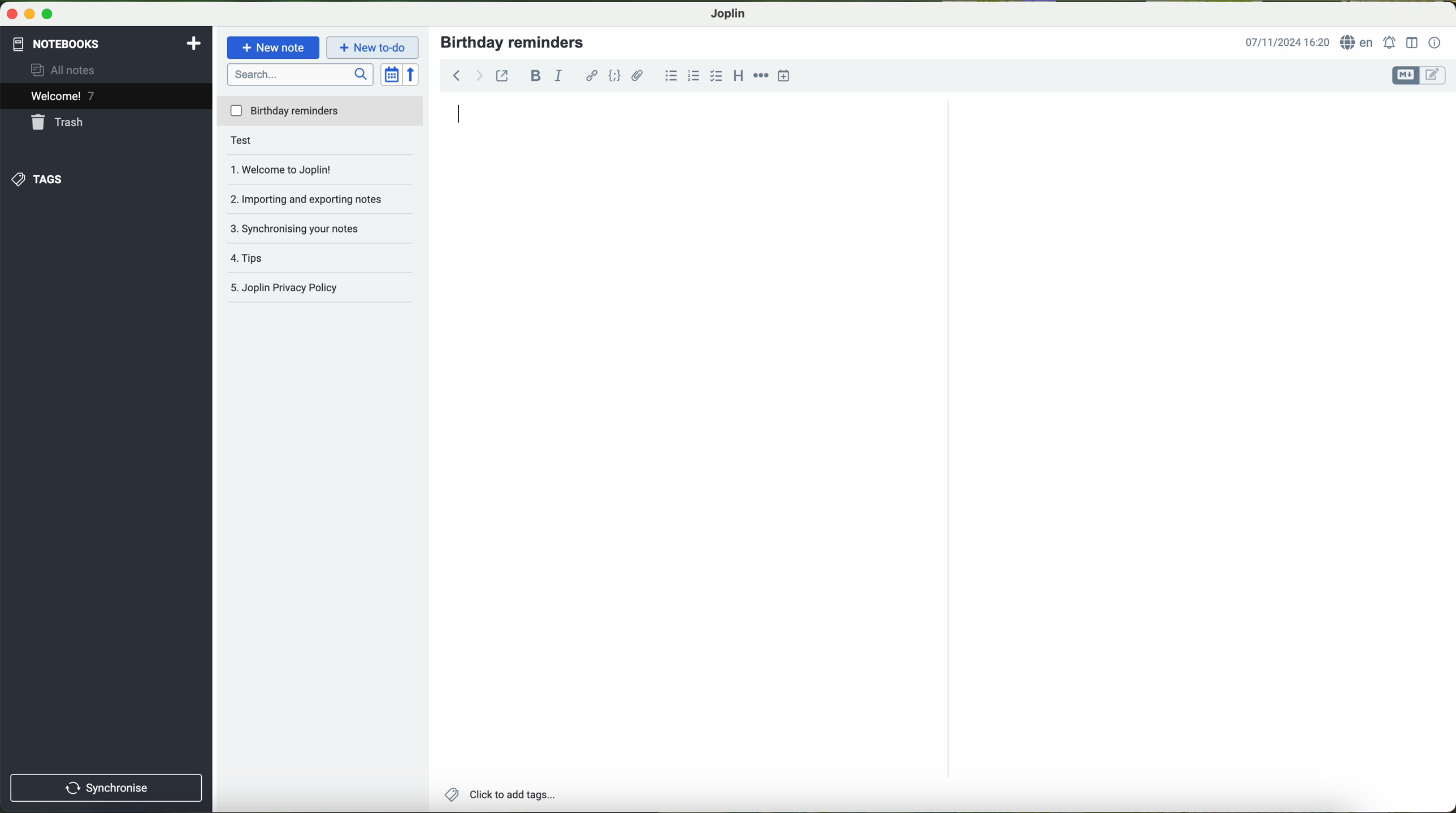 This screenshot has height=813, width=1456. What do you see at coordinates (269, 254) in the screenshot?
I see `tips` at bounding box center [269, 254].